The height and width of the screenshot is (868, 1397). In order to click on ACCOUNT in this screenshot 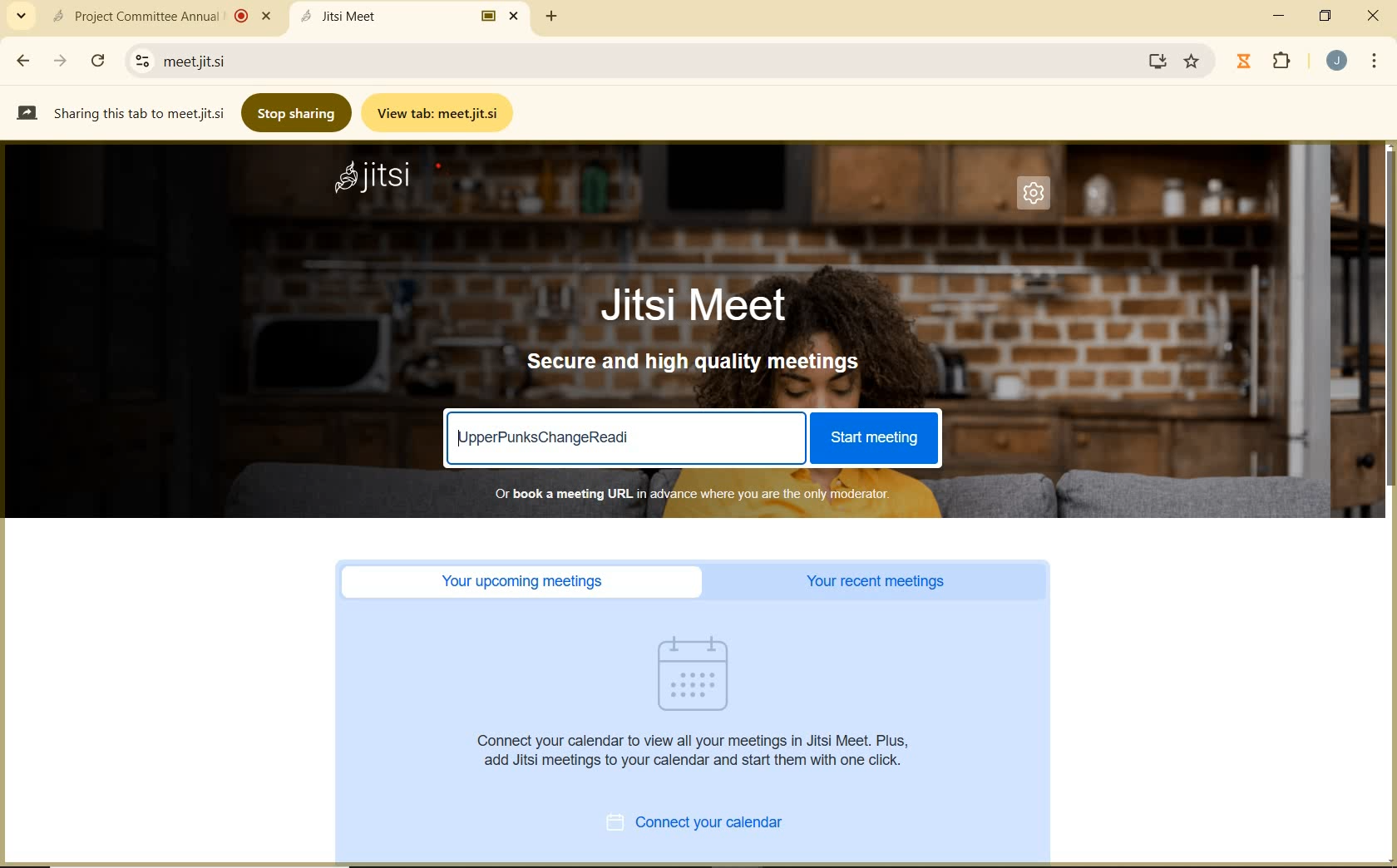, I will do `click(1337, 61)`.